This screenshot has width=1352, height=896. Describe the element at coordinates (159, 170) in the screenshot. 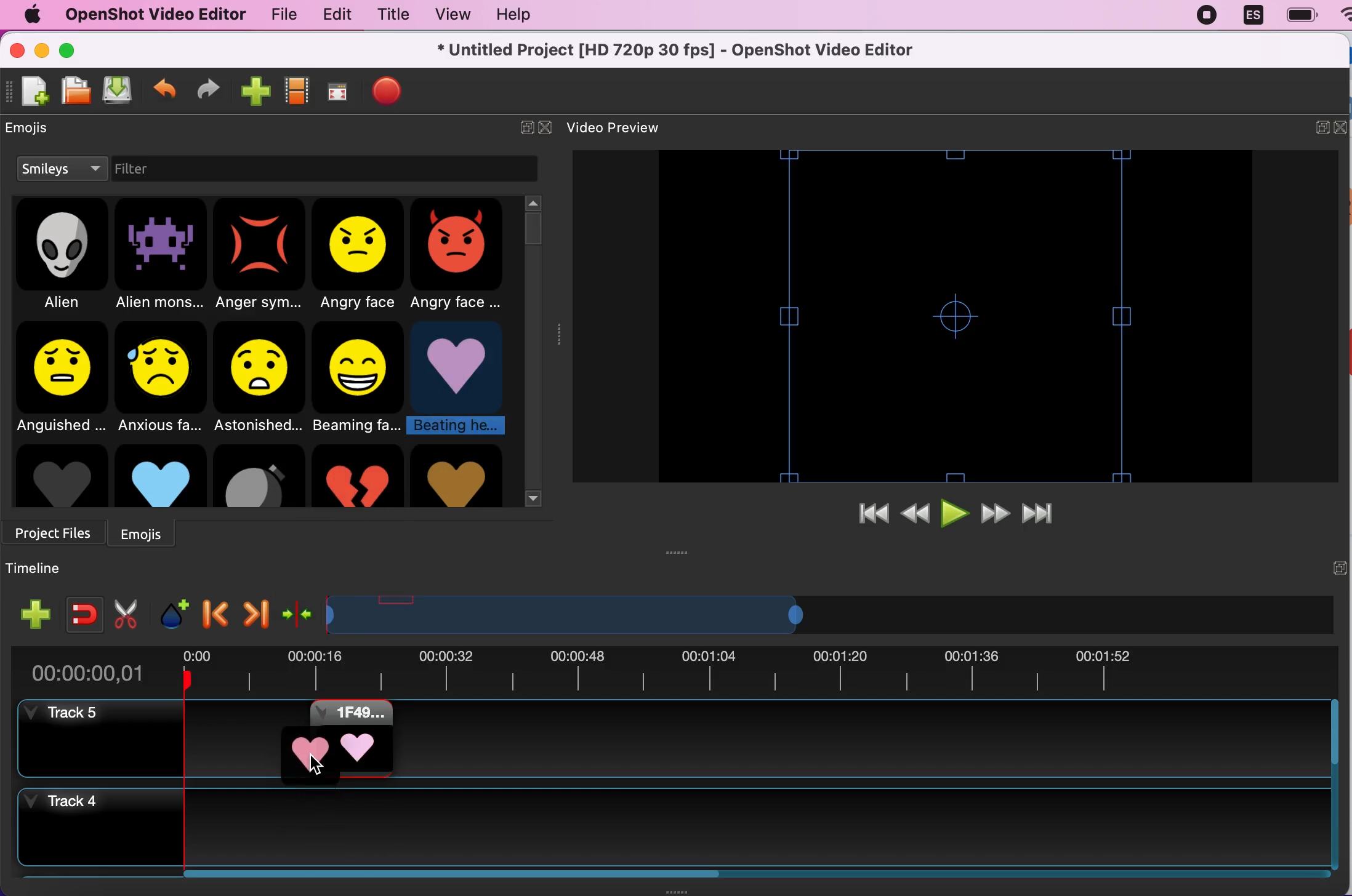

I see `filter` at that location.